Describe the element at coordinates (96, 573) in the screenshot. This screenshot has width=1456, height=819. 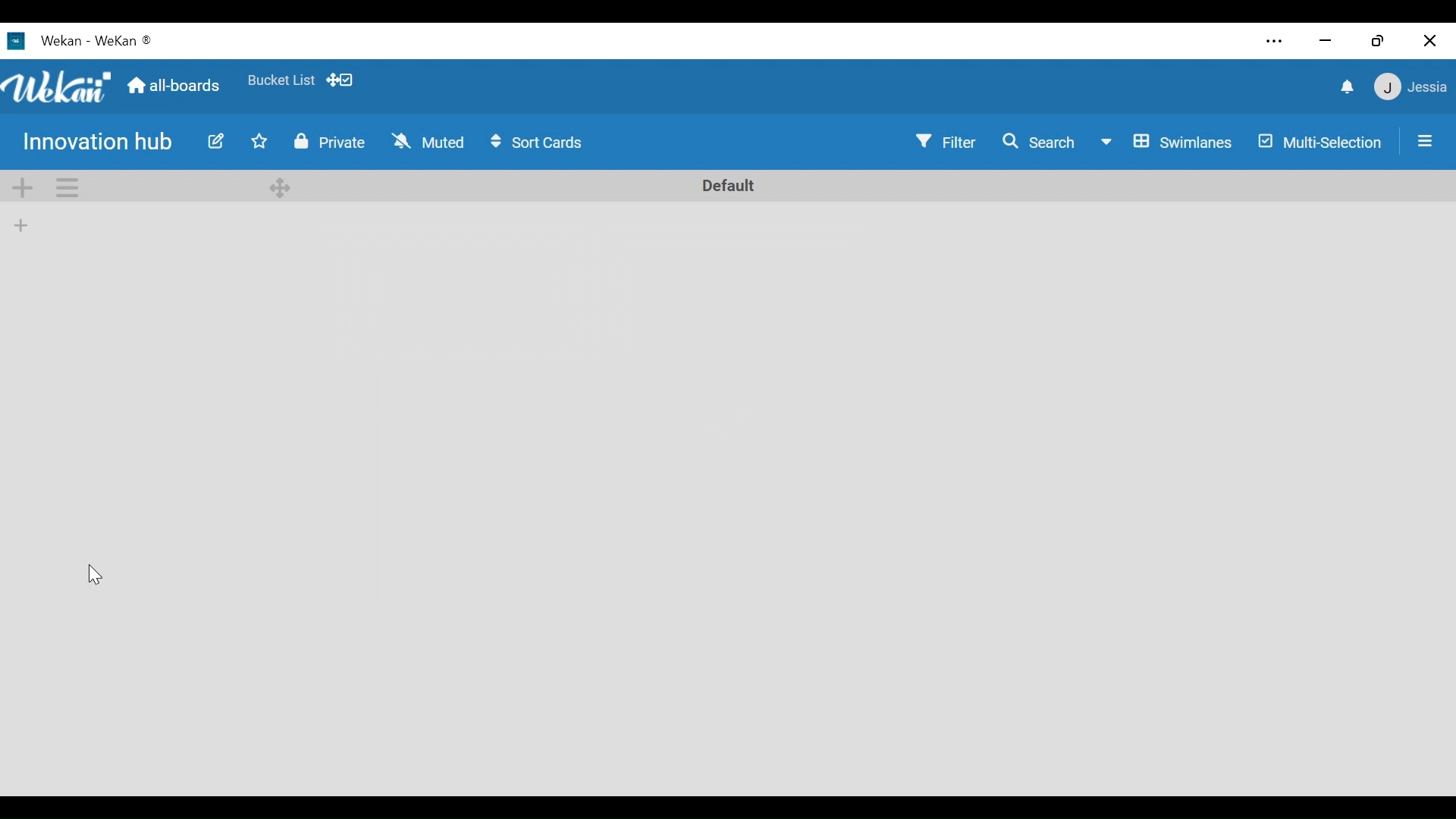
I see `cursor` at that location.